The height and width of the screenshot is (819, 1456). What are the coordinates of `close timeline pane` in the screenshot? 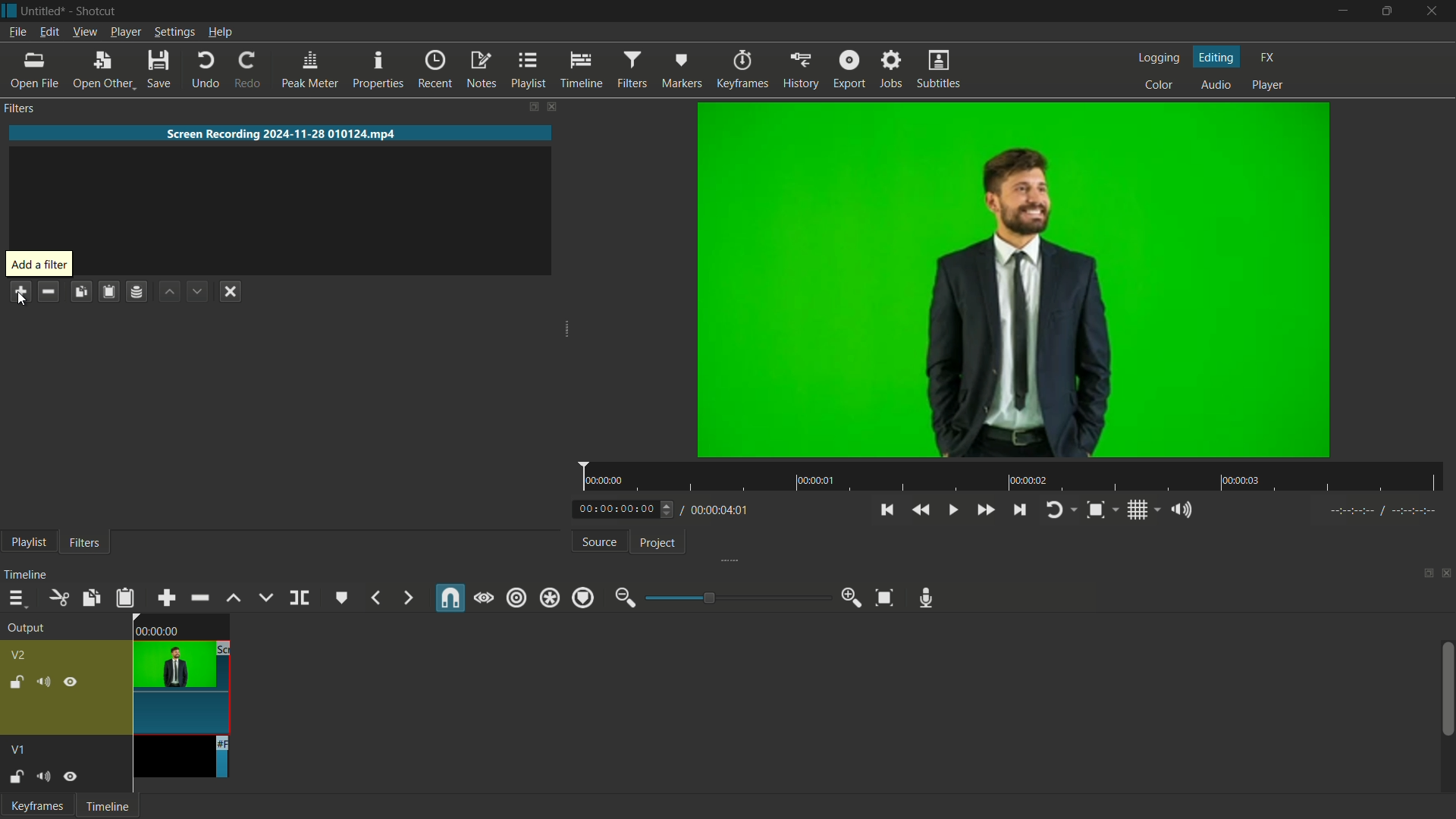 It's located at (1447, 573).